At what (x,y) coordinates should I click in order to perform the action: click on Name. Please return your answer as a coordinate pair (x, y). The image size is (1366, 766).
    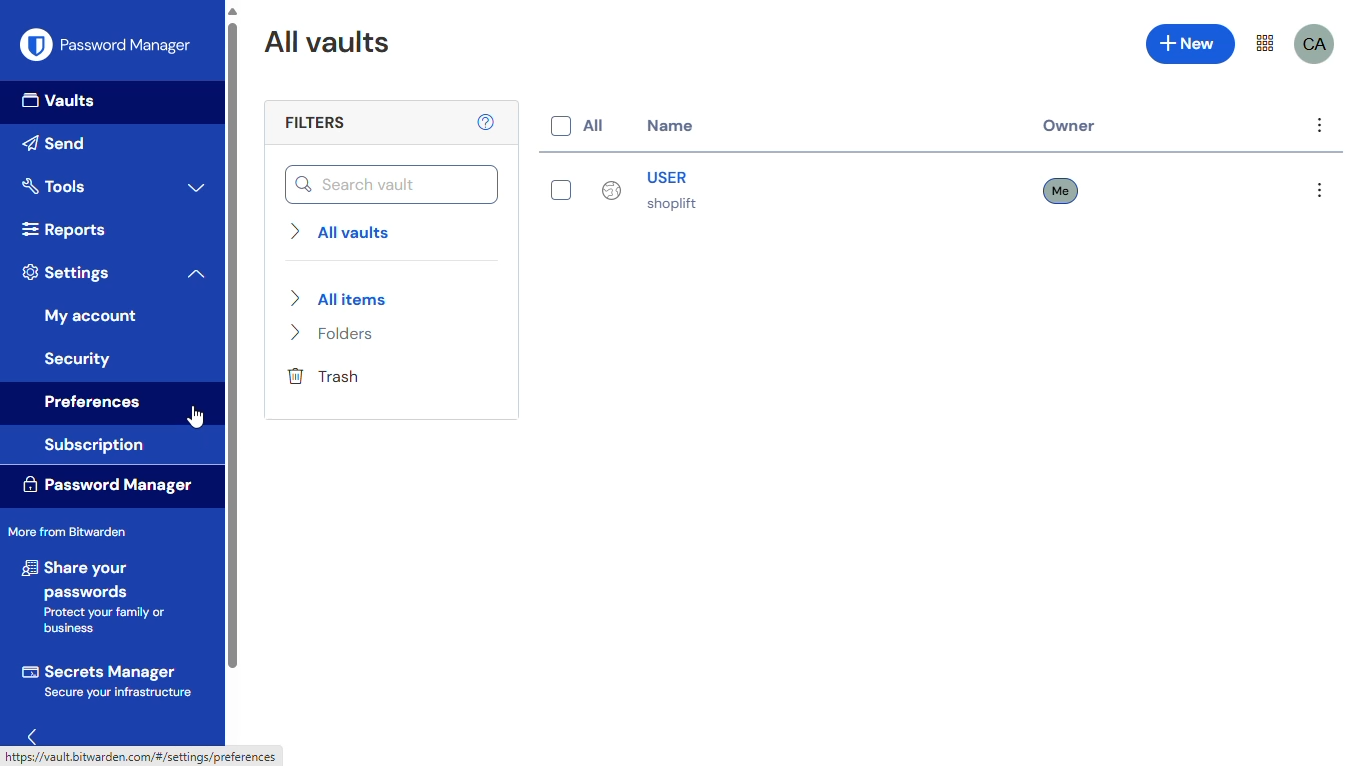
    Looking at the image, I should click on (670, 127).